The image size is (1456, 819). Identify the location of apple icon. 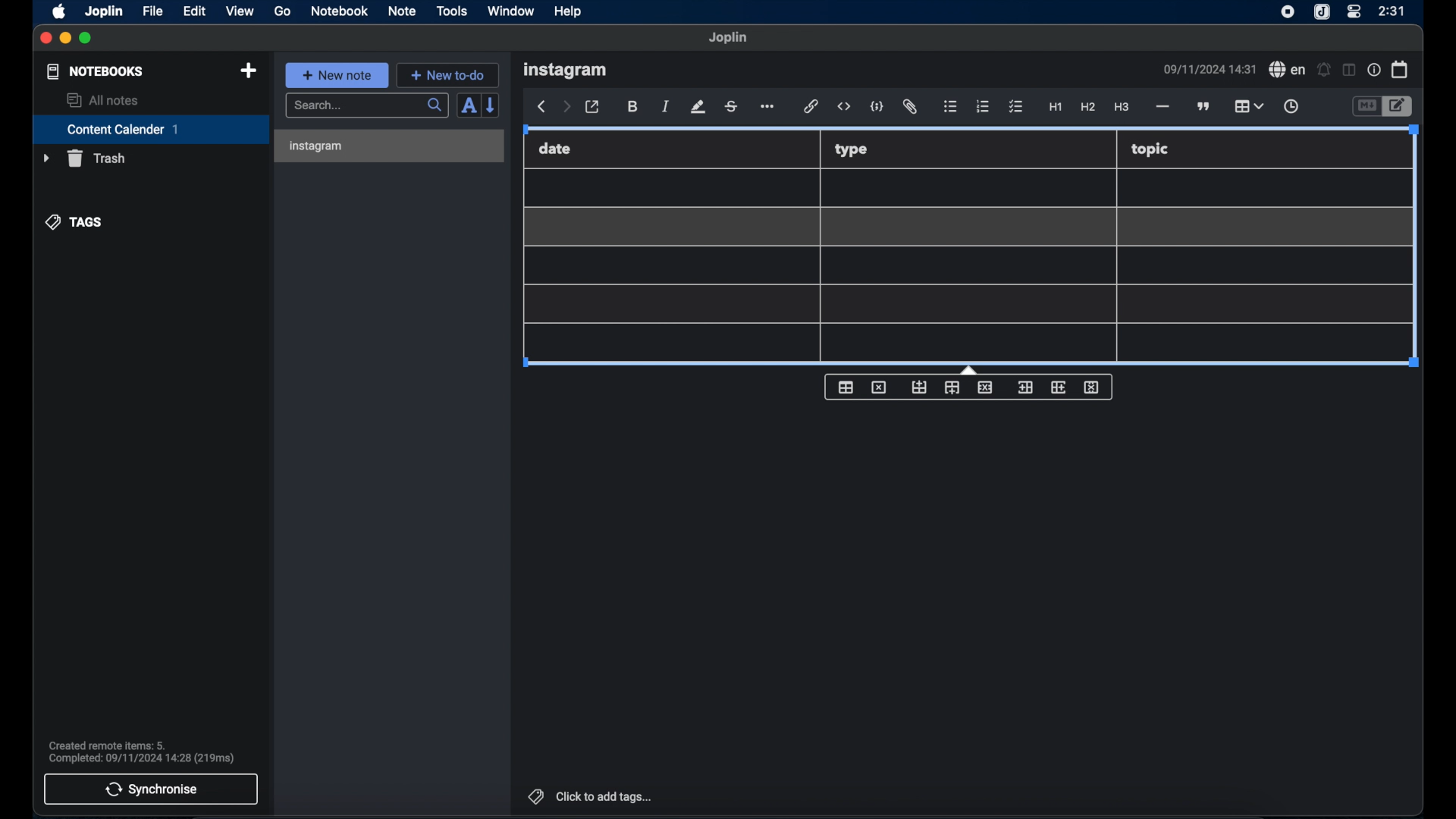
(60, 12).